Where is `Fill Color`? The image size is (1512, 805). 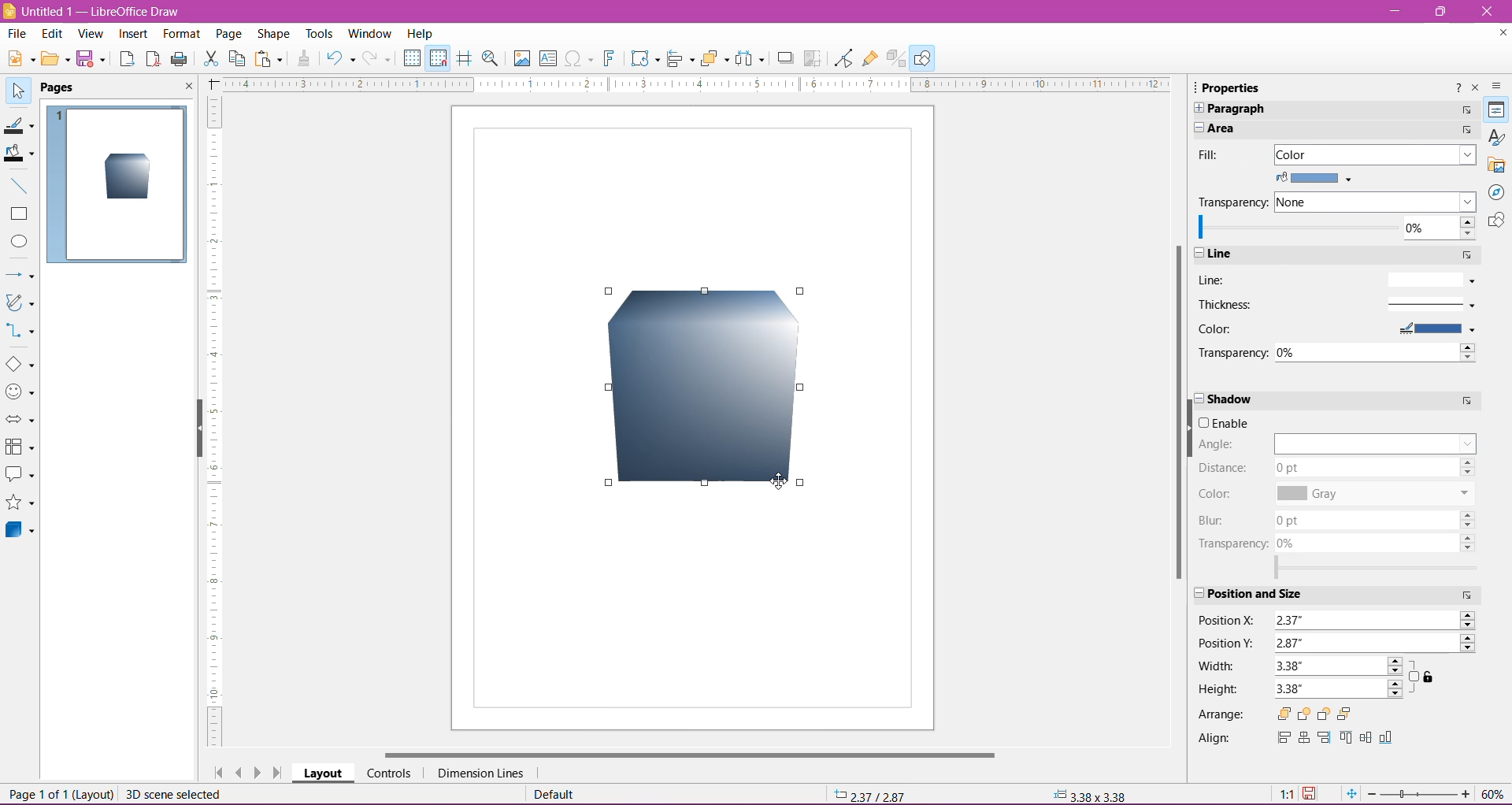 Fill Color is located at coordinates (19, 154).